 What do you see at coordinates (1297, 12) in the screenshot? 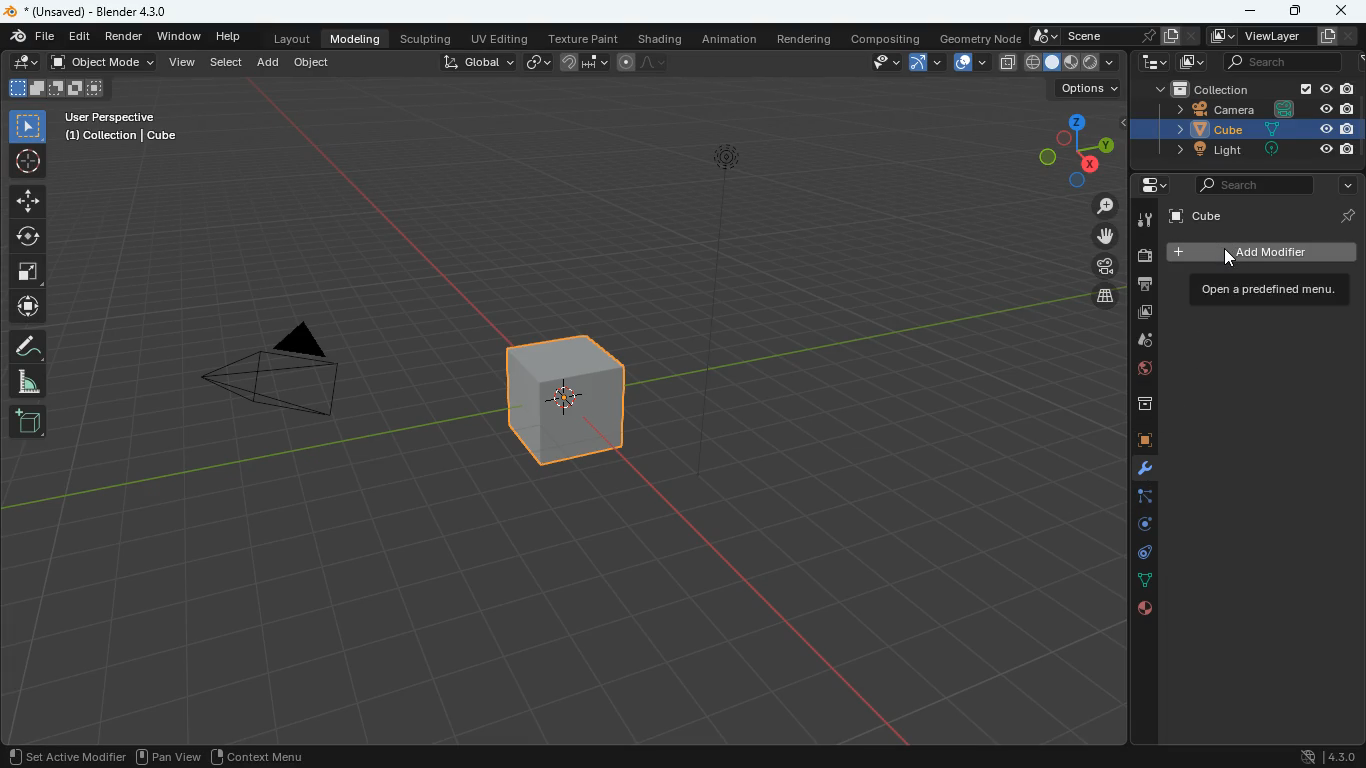
I see `maximize` at bounding box center [1297, 12].